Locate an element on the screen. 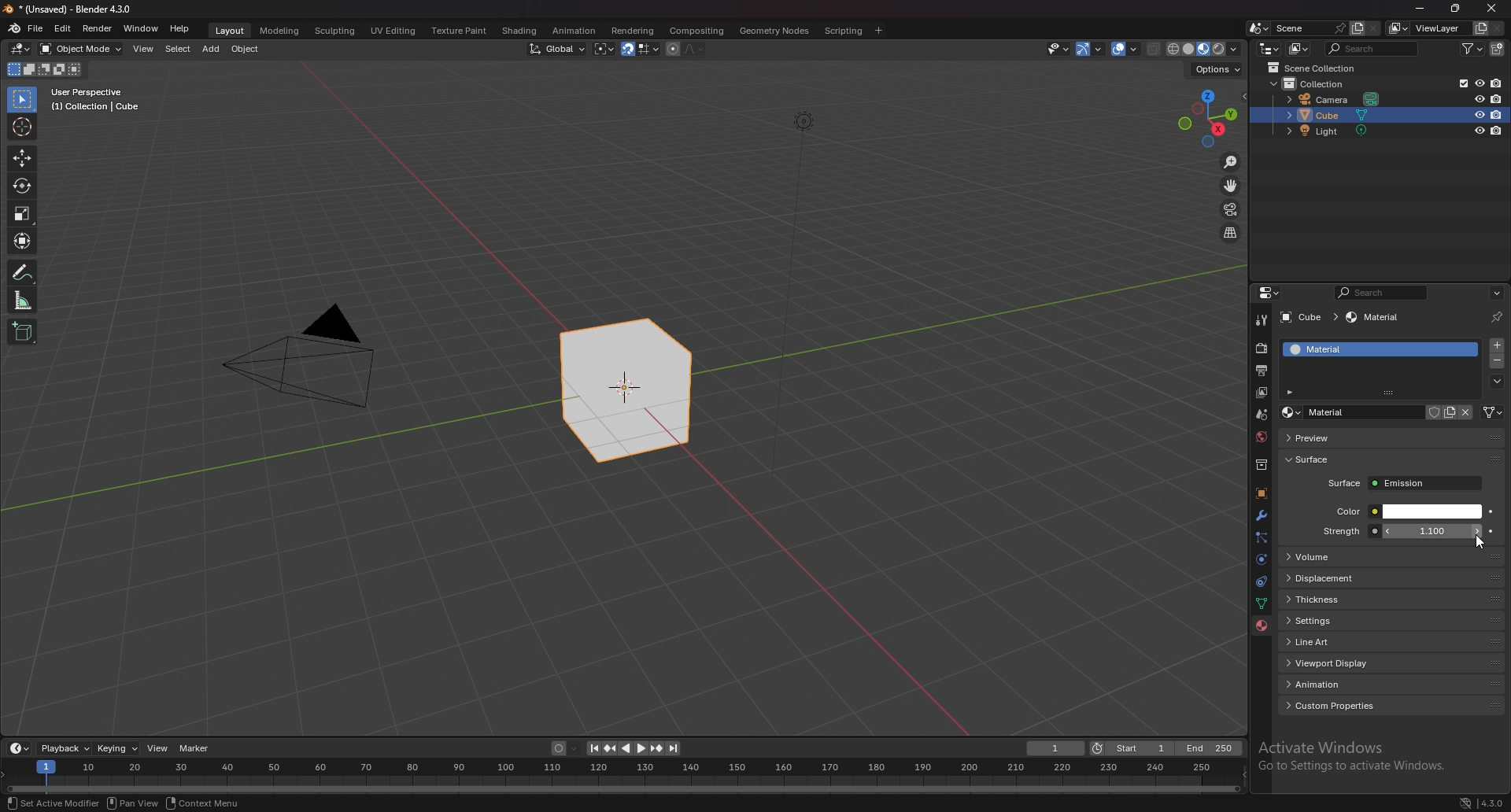 The height and width of the screenshot is (812, 1511). world is located at coordinates (1263, 435).